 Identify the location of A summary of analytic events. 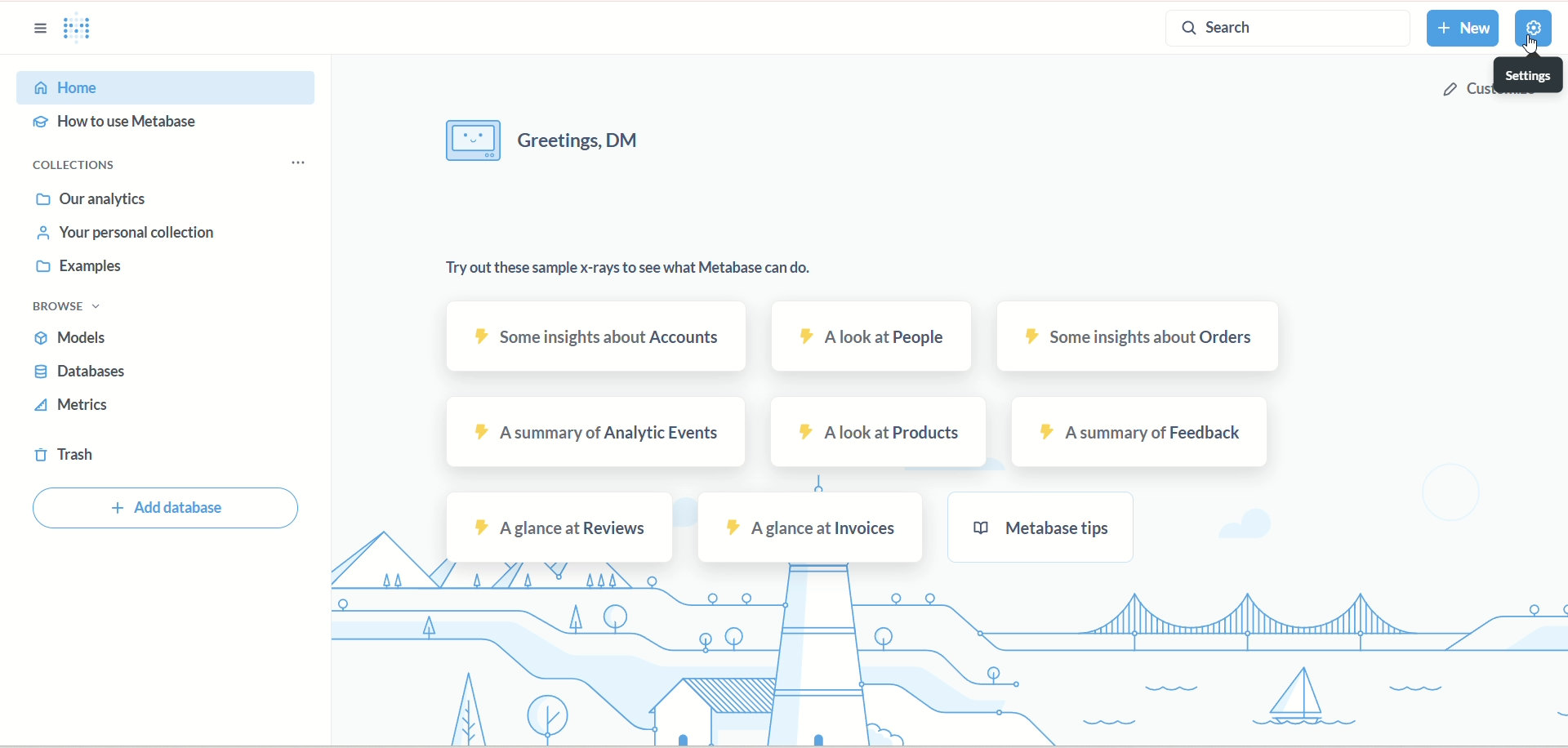
(599, 434).